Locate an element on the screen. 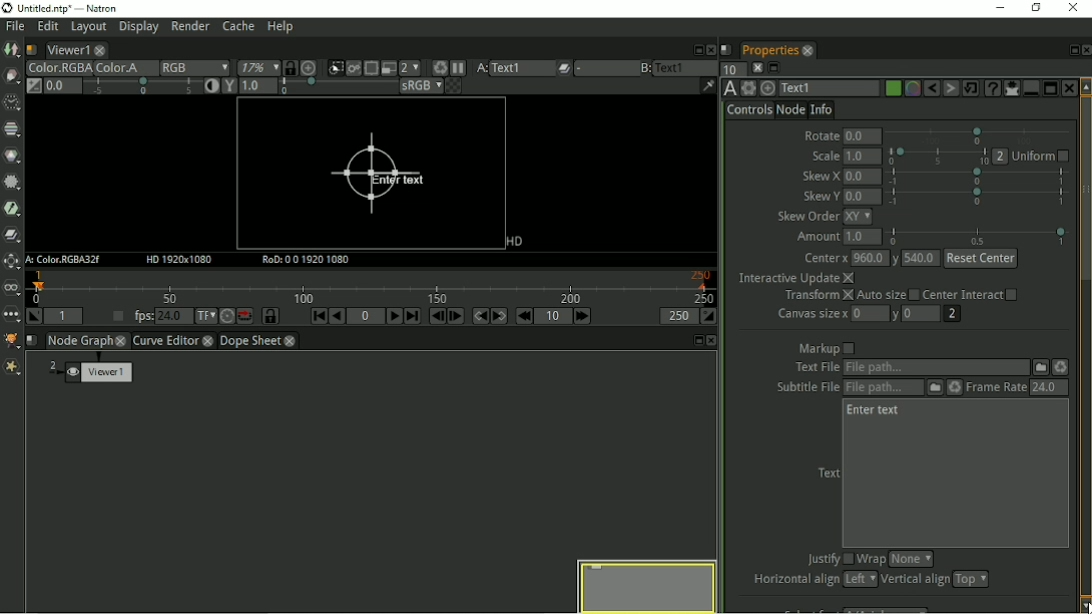 This screenshot has height=614, width=1092. Layout is located at coordinates (87, 29).